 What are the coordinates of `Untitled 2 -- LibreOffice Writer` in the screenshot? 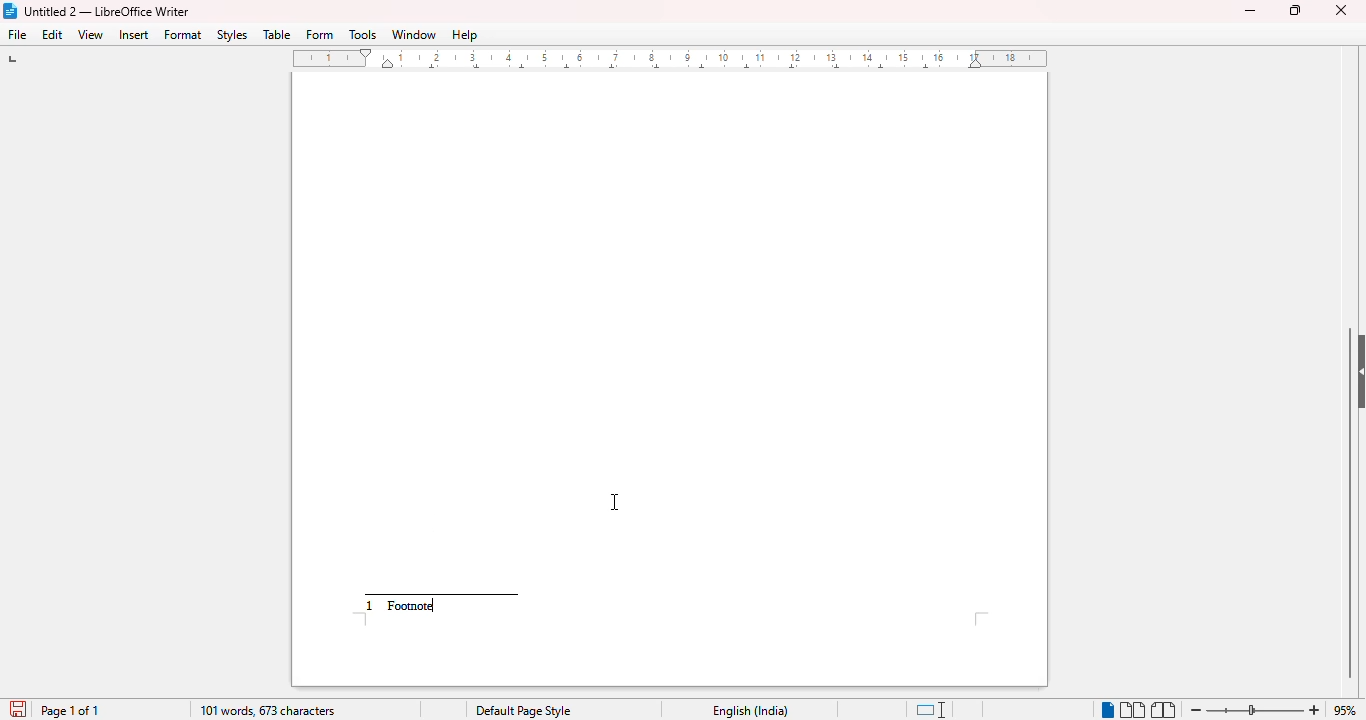 It's located at (109, 11).